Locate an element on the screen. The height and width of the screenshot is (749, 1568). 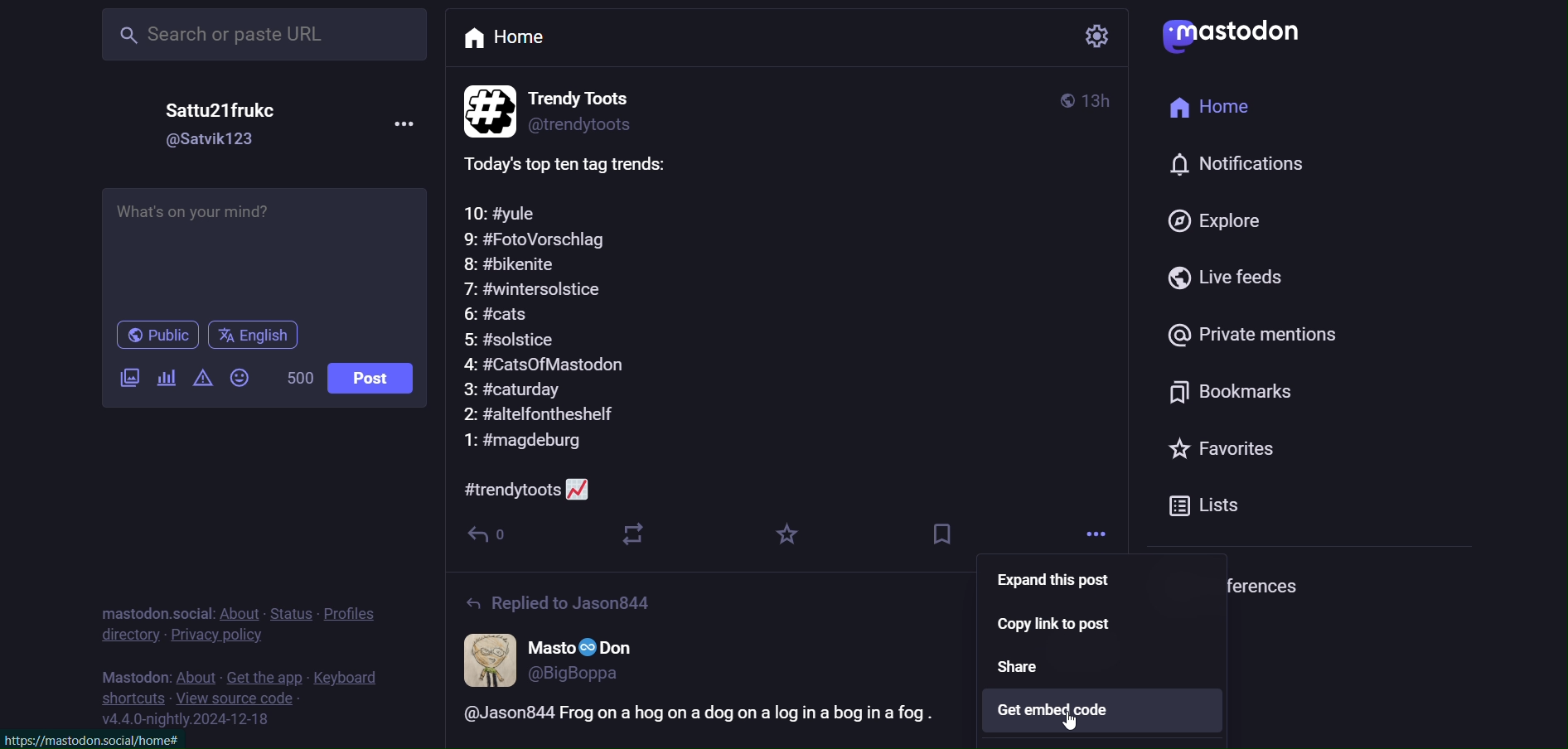
public is located at coordinates (148, 335).